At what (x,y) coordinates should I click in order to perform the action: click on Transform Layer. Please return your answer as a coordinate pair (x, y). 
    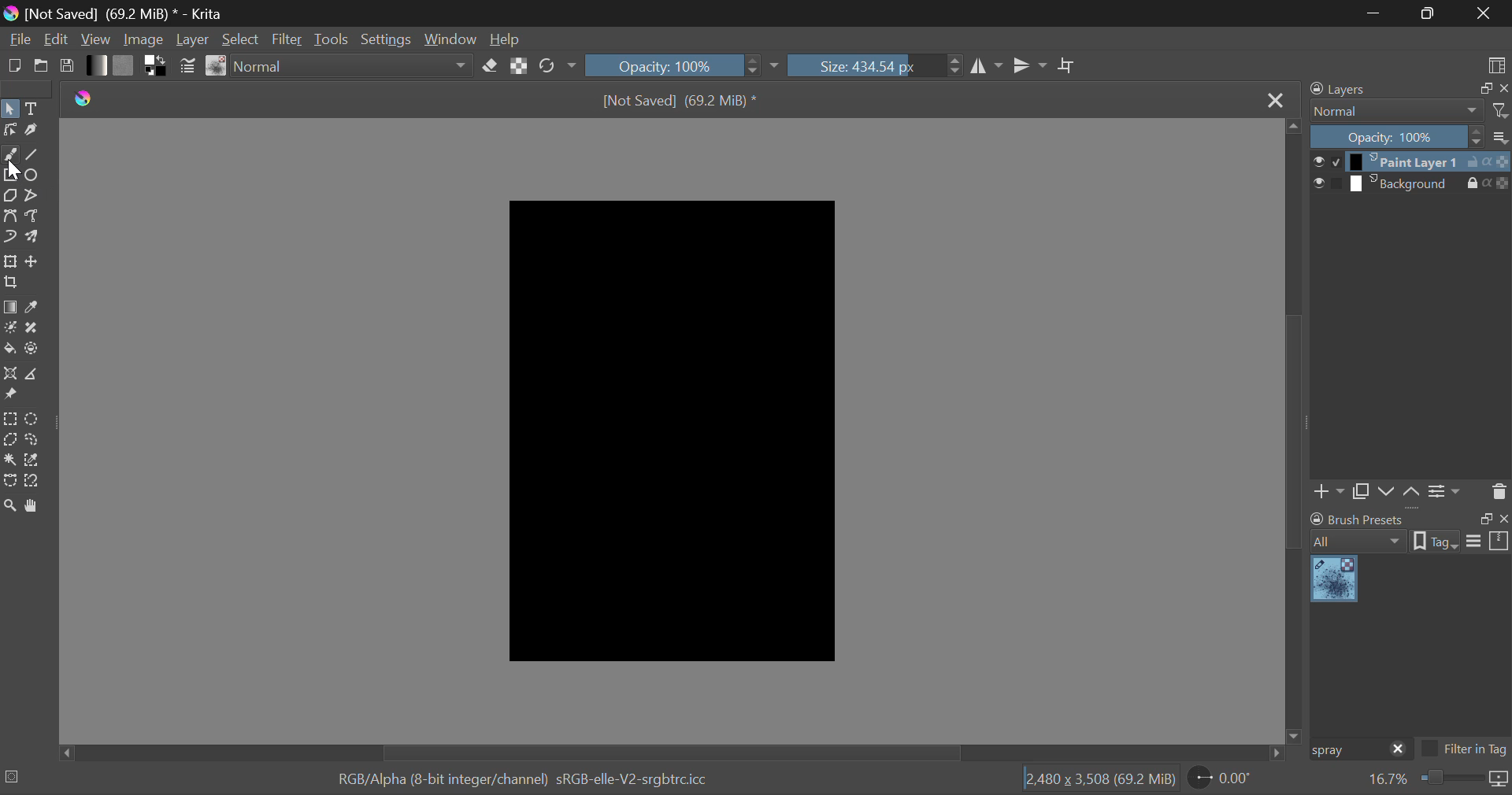
    Looking at the image, I should click on (10, 261).